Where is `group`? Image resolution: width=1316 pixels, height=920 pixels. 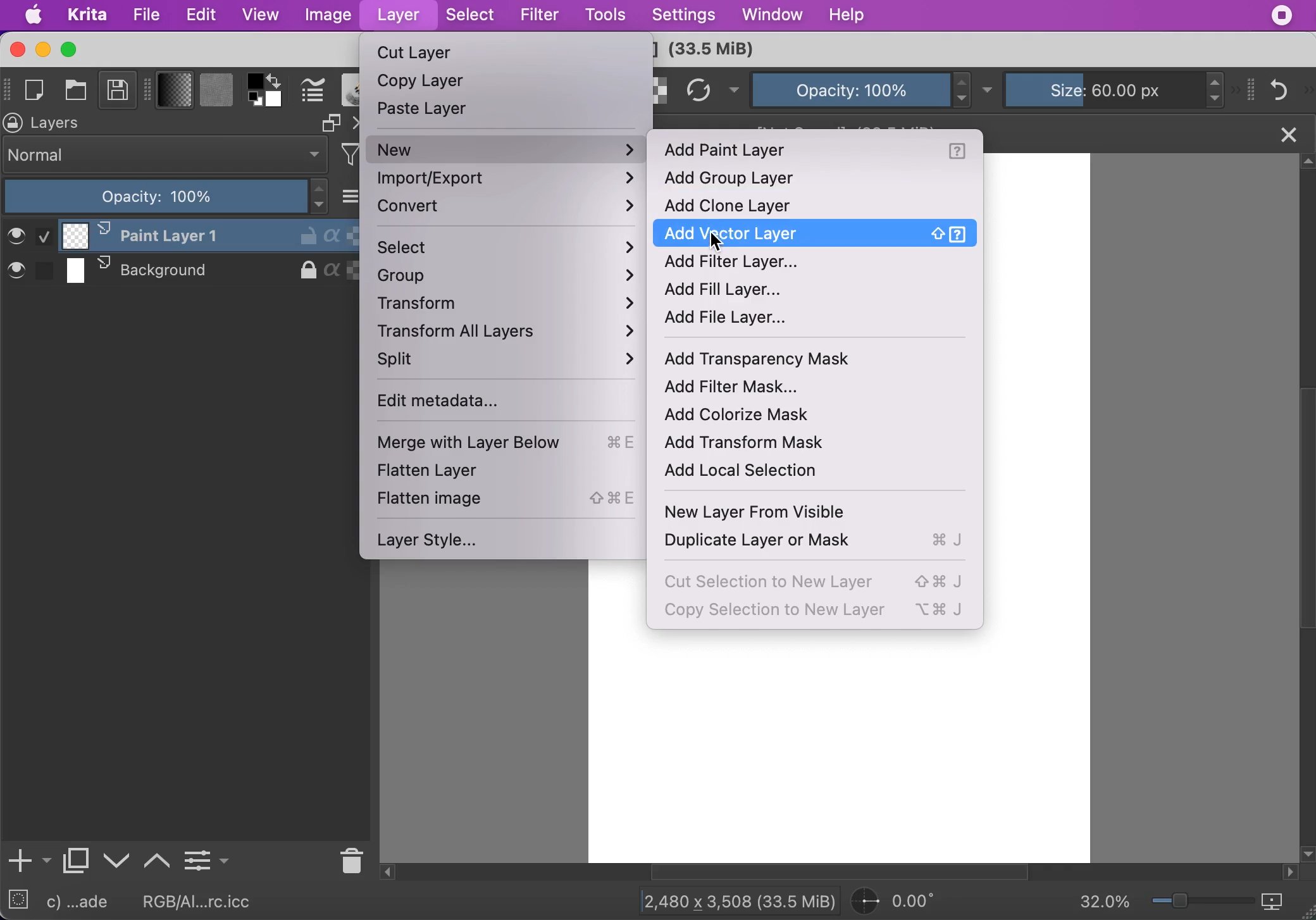
group is located at coordinates (512, 278).